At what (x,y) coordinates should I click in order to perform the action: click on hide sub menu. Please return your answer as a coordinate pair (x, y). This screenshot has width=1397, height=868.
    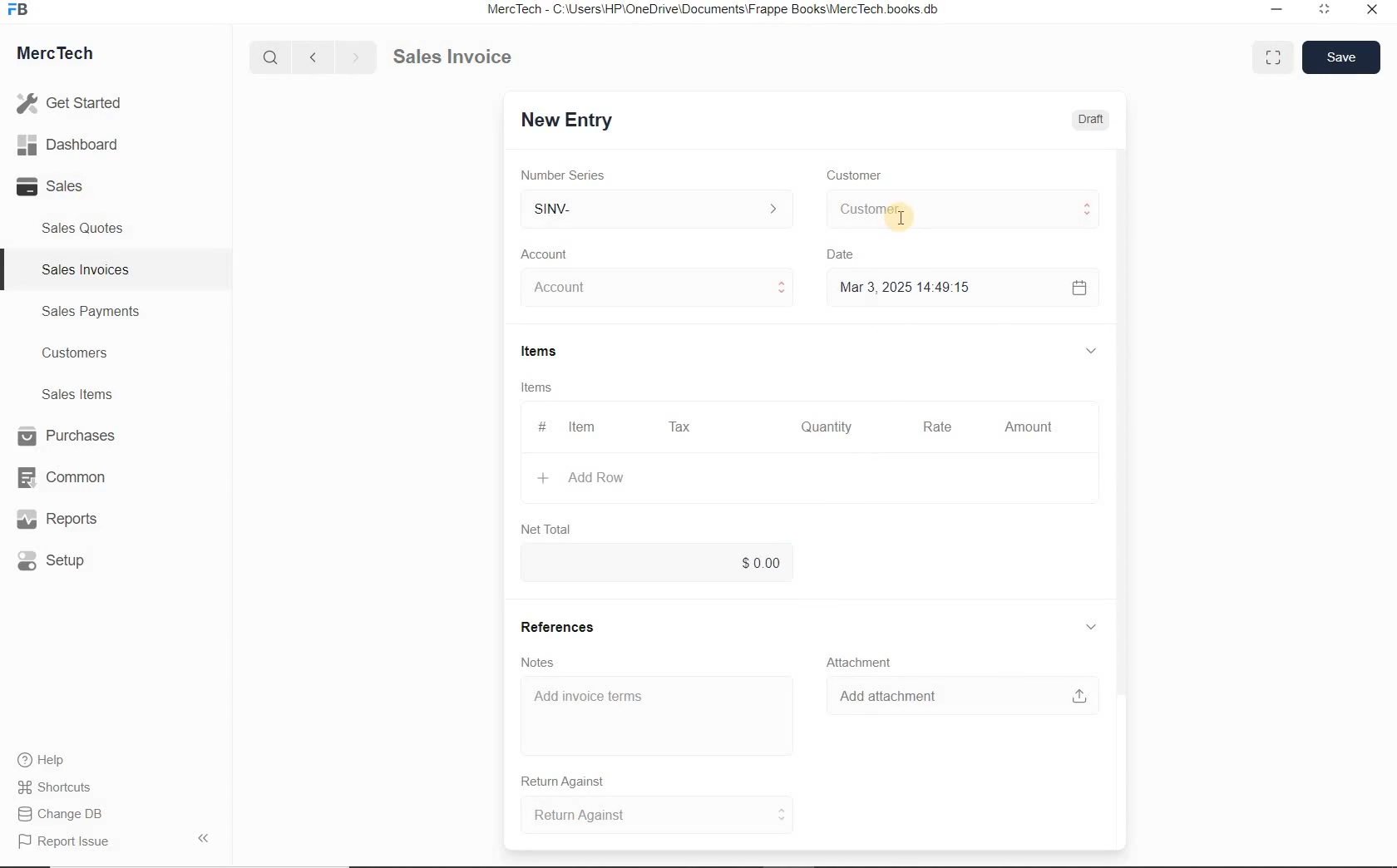
    Looking at the image, I should click on (1091, 628).